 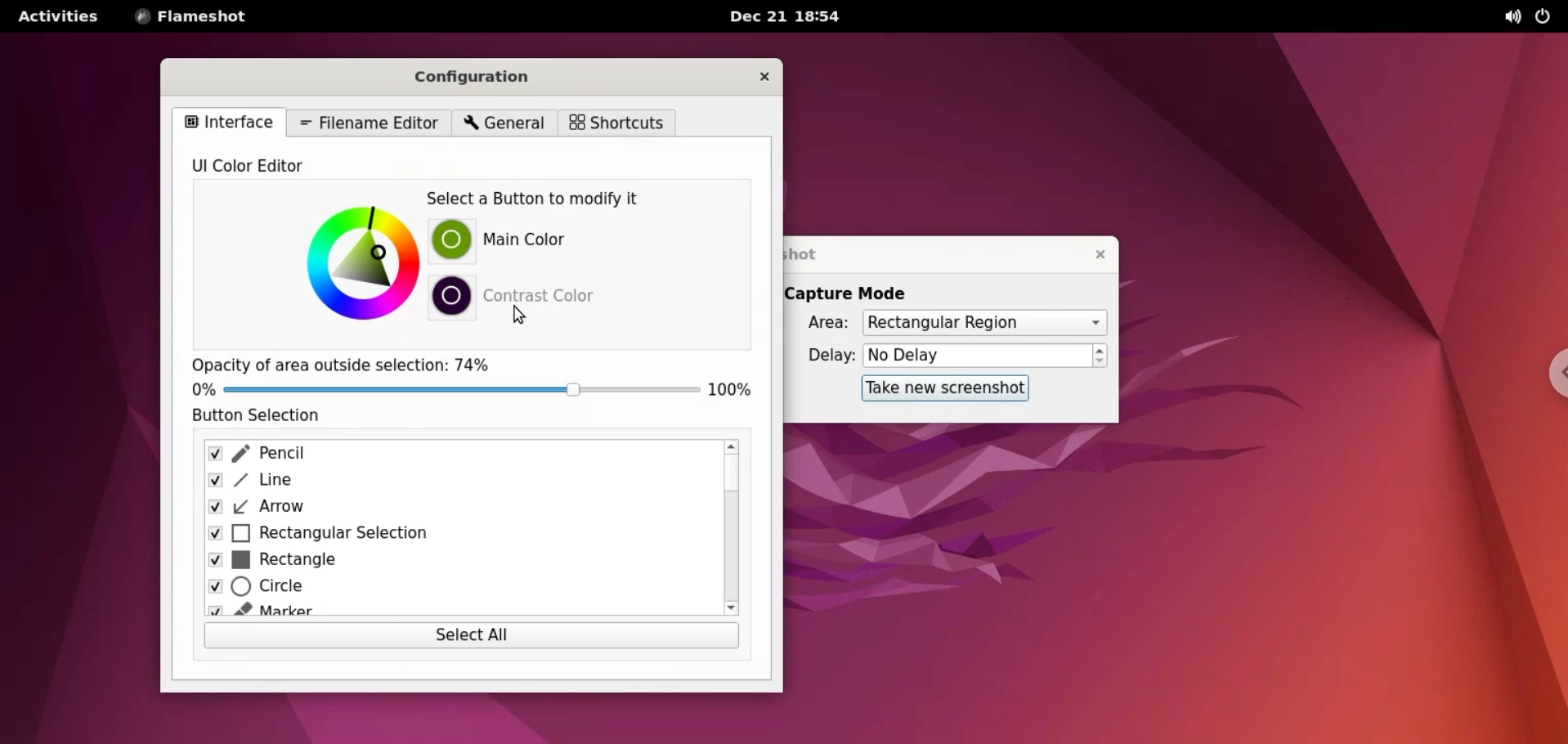 I want to click on UI color editor, so click(x=257, y=166).